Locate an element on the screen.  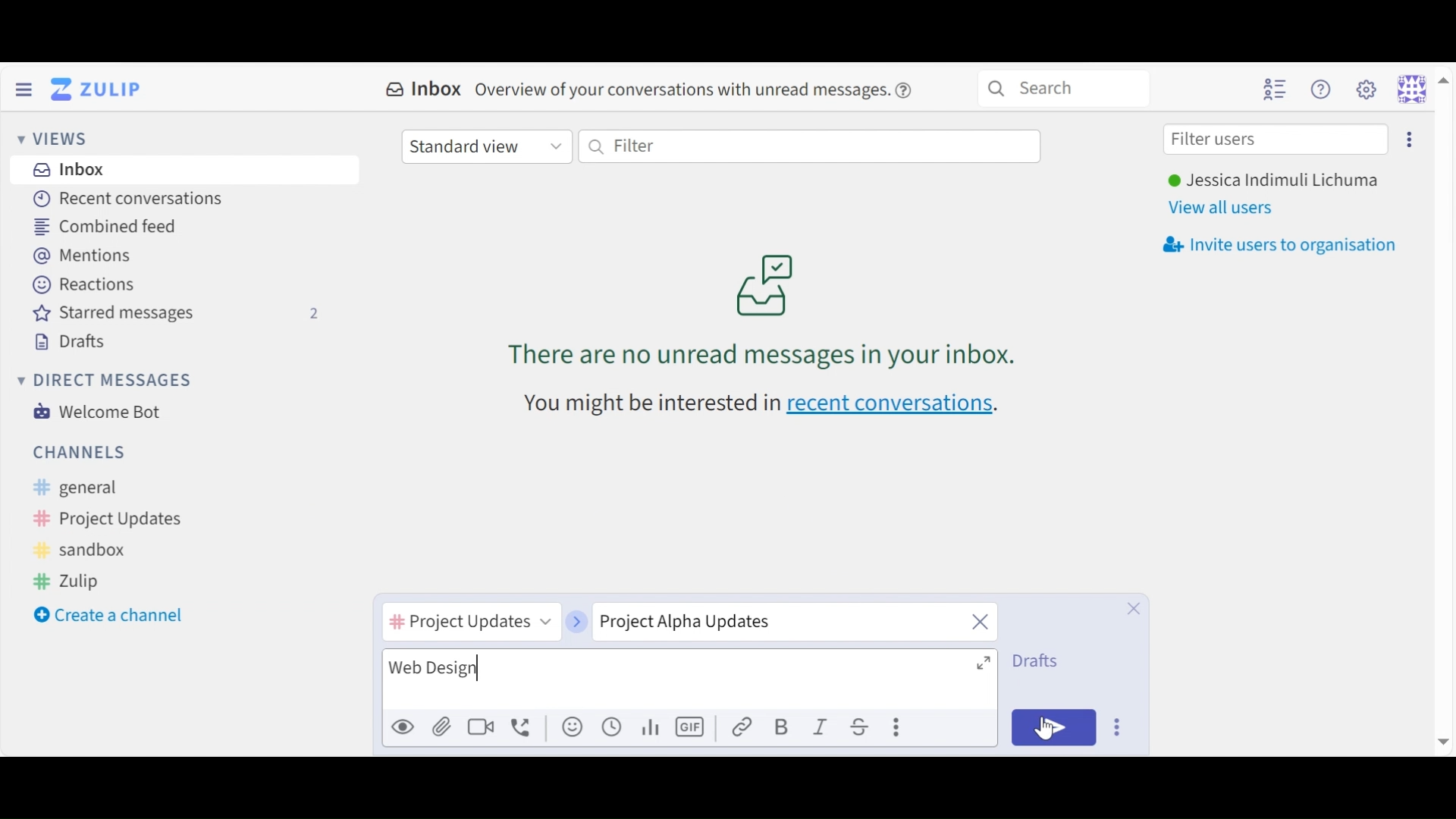
Add global time is located at coordinates (612, 726).